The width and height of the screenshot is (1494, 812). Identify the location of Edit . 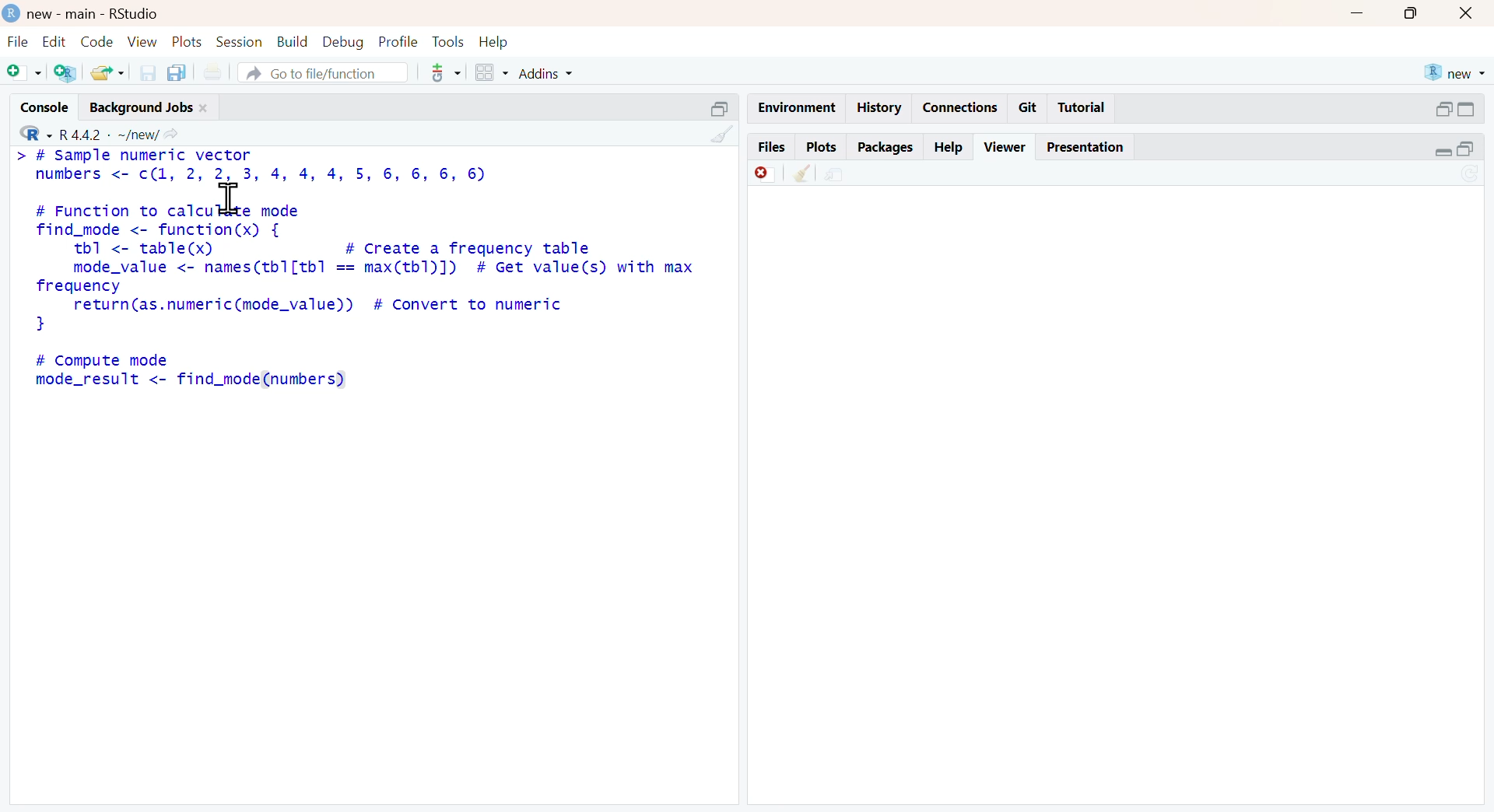
(55, 40).